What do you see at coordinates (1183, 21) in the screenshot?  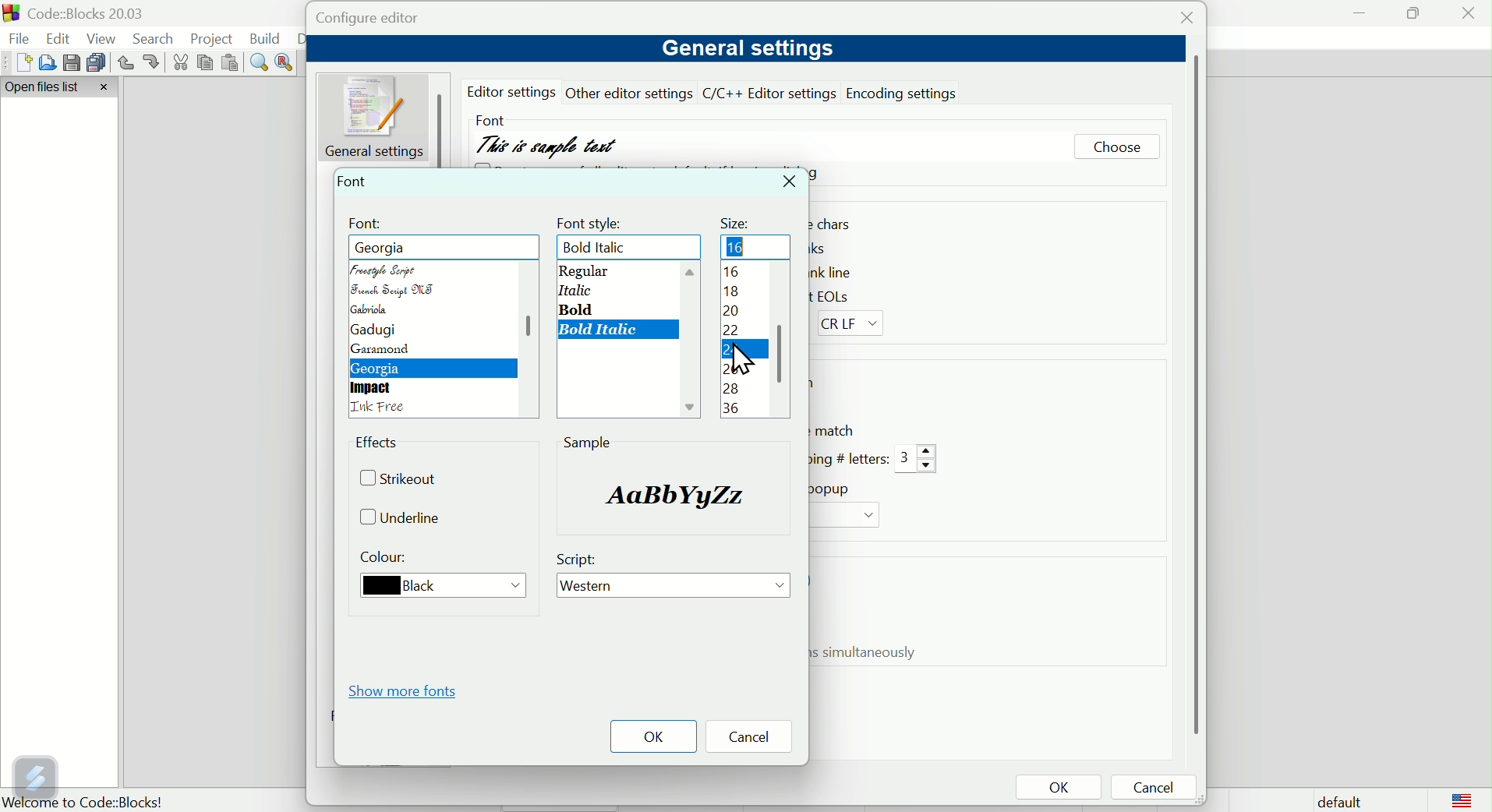 I see `Close` at bounding box center [1183, 21].